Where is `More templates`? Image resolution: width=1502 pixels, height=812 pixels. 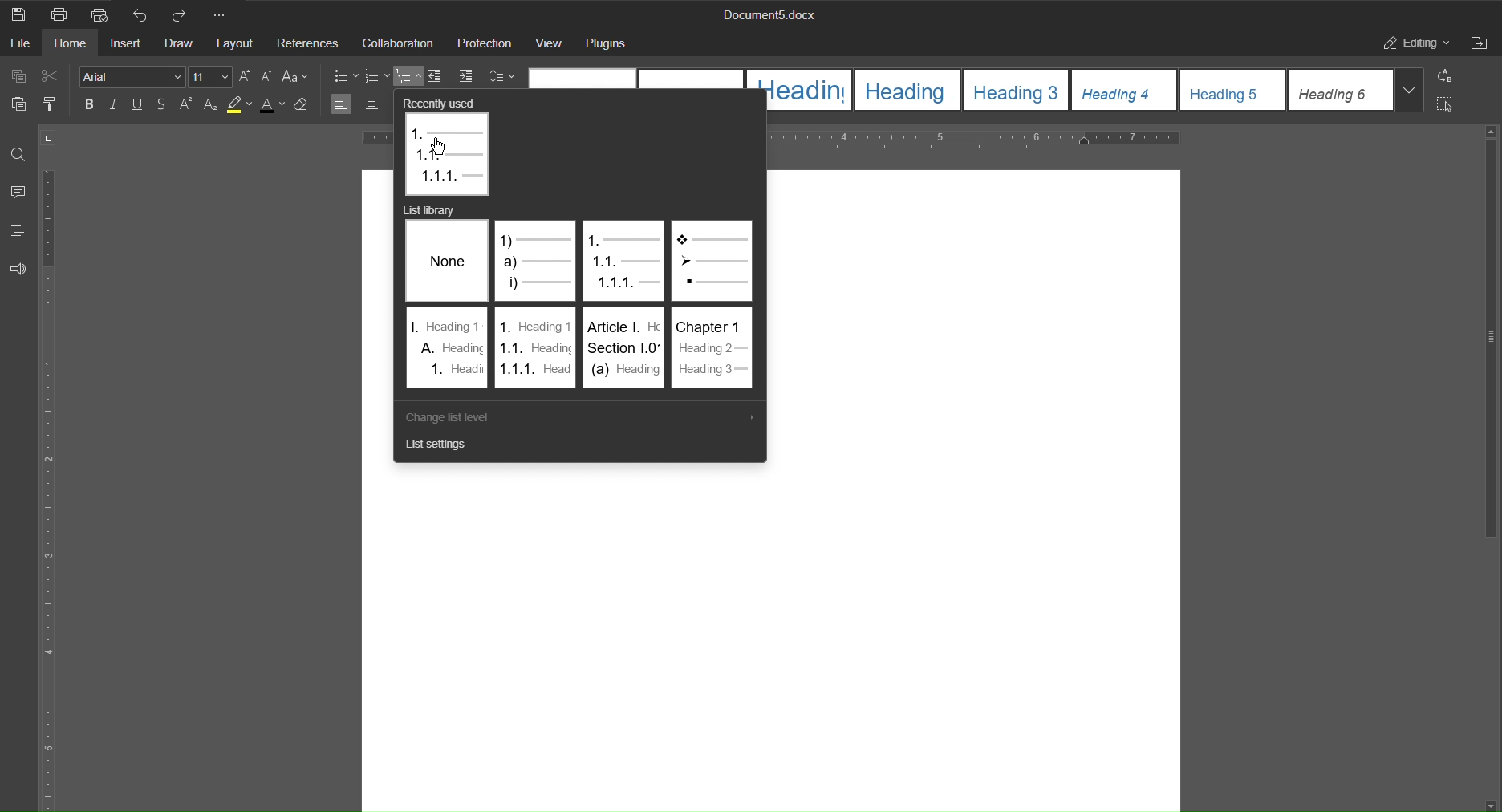 More templates is located at coordinates (1409, 89).